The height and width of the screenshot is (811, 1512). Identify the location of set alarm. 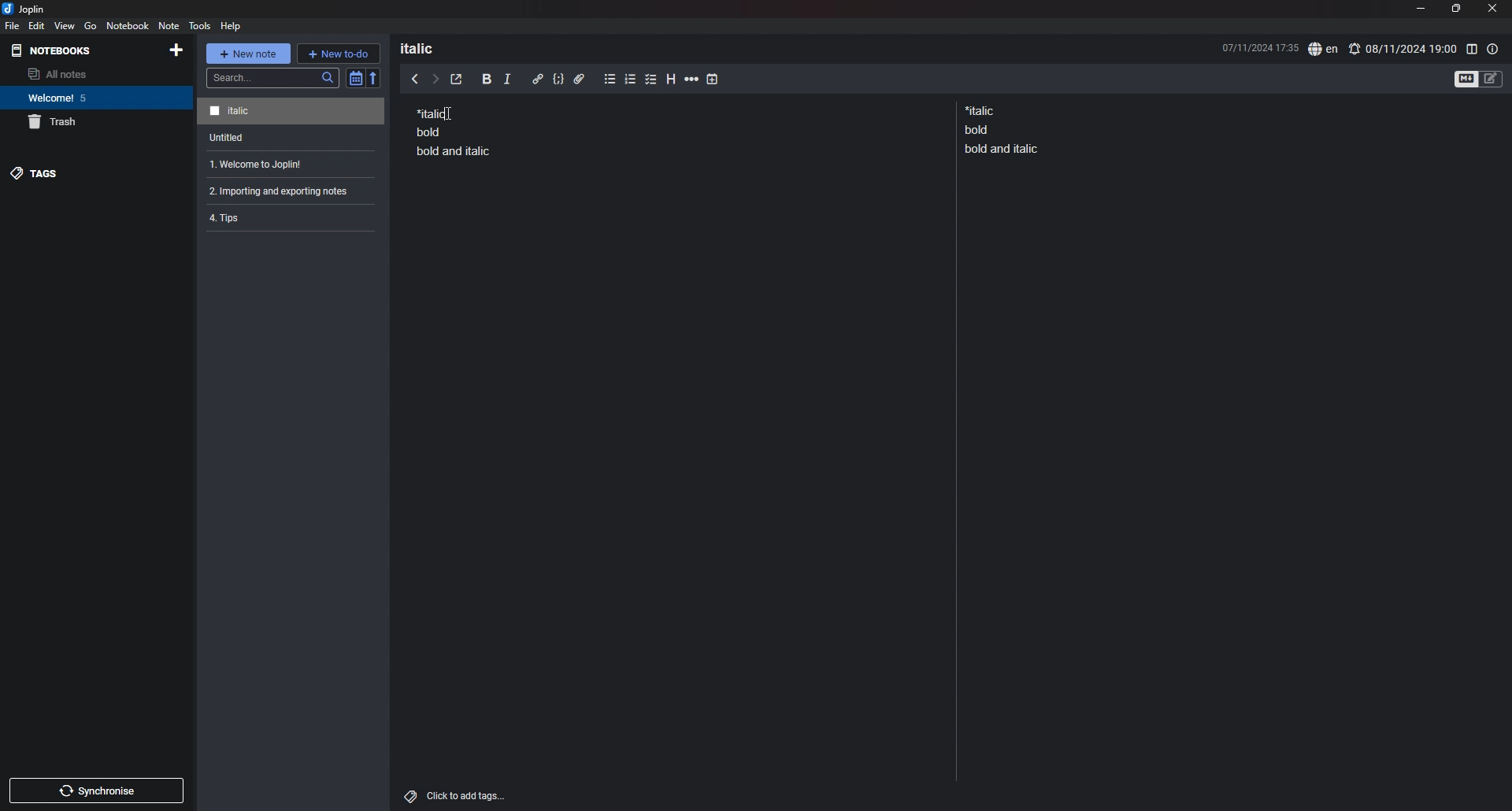
(1403, 48).